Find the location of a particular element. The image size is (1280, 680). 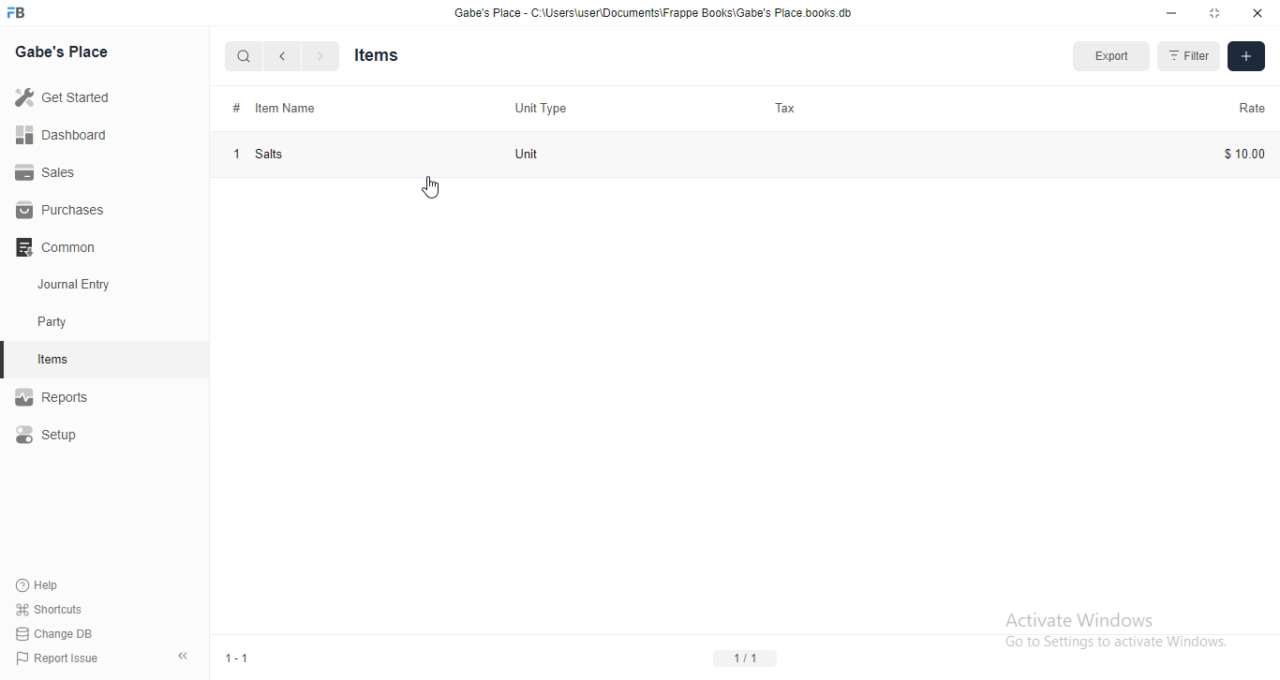

Rate is located at coordinates (1248, 107).